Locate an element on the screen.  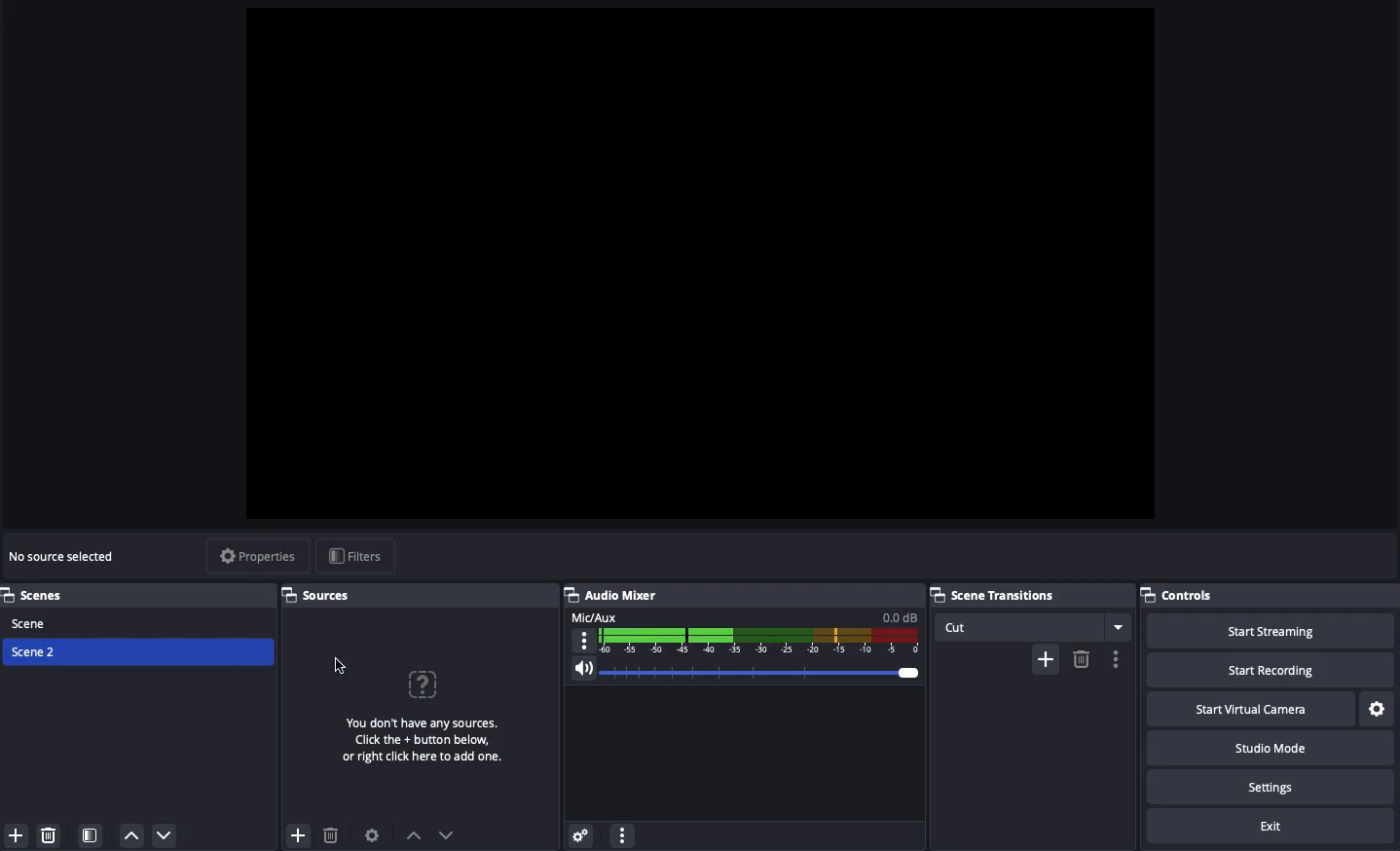
Settings is located at coordinates (1376, 706).